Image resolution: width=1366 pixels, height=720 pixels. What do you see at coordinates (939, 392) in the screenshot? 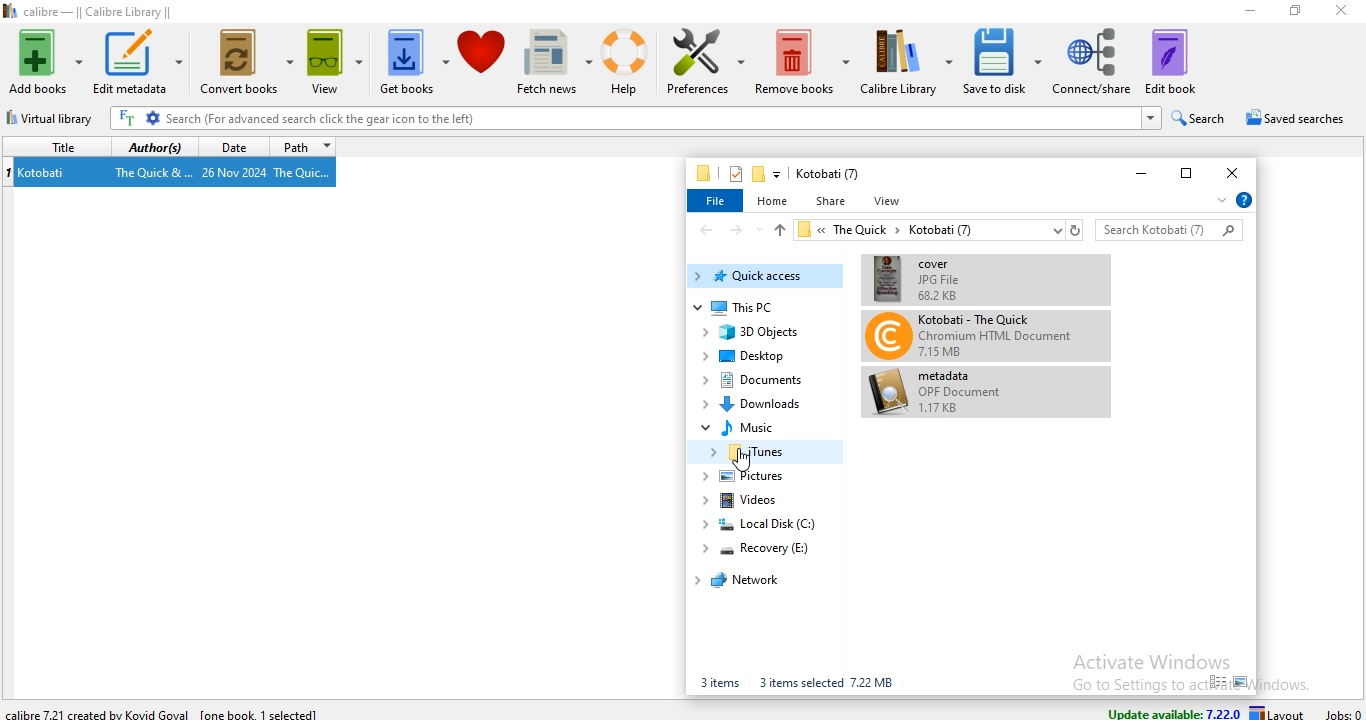
I see `metadata (book files)` at bounding box center [939, 392].